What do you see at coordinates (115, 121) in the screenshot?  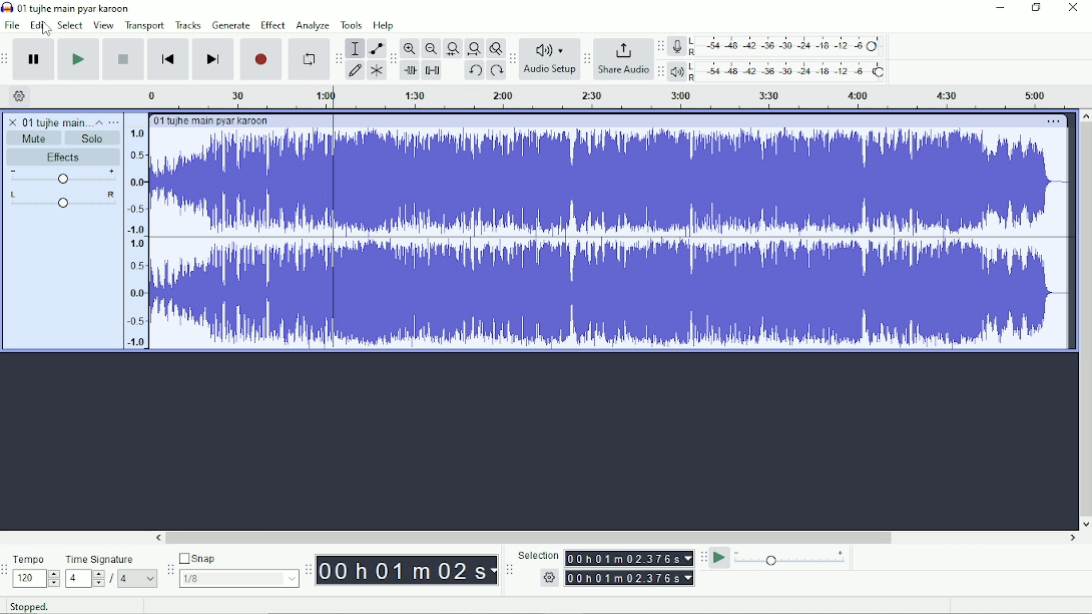 I see `Open menu` at bounding box center [115, 121].